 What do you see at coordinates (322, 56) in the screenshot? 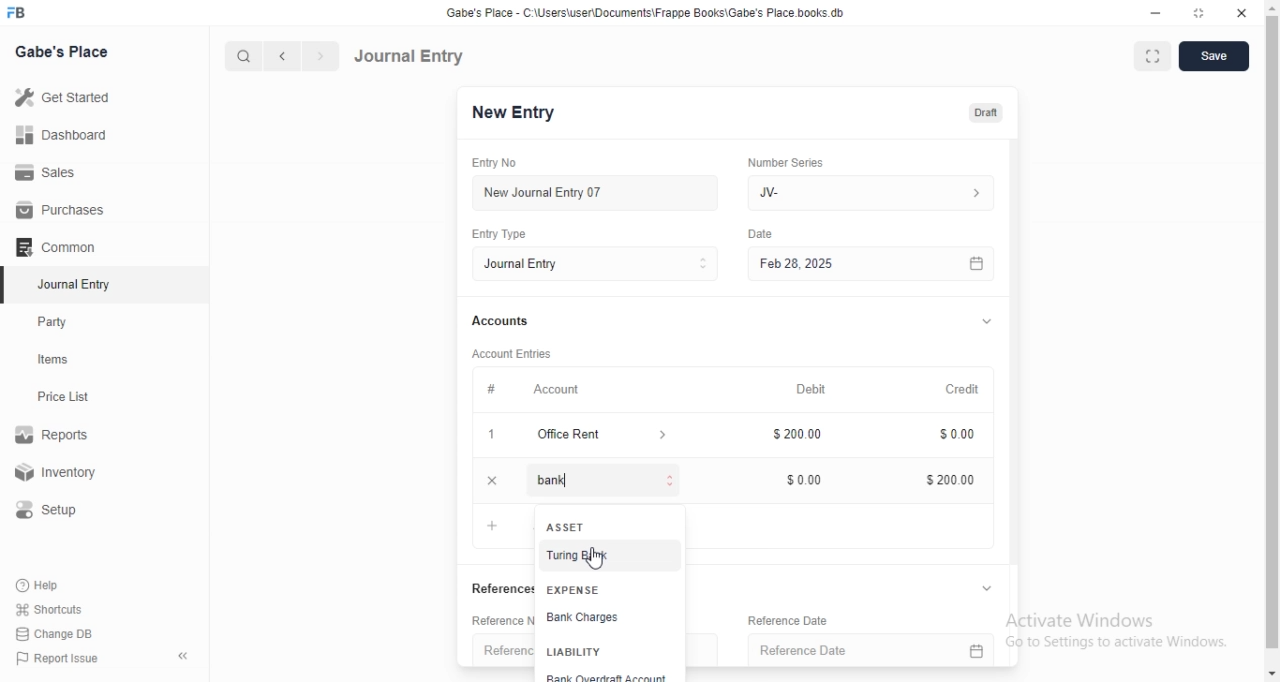
I see `forward` at bounding box center [322, 56].